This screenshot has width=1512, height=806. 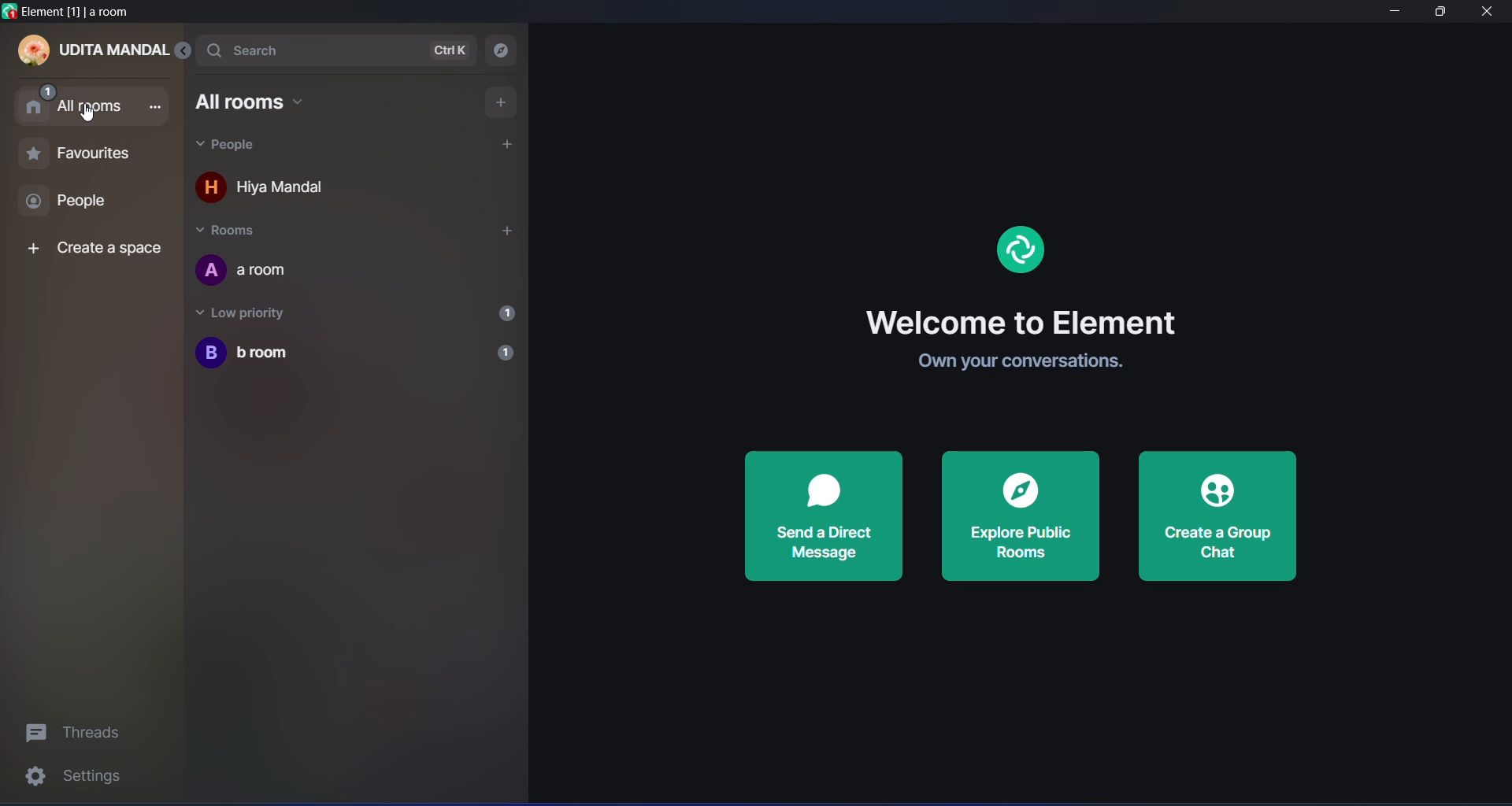 What do you see at coordinates (245, 231) in the screenshot?
I see `Rooms` at bounding box center [245, 231].